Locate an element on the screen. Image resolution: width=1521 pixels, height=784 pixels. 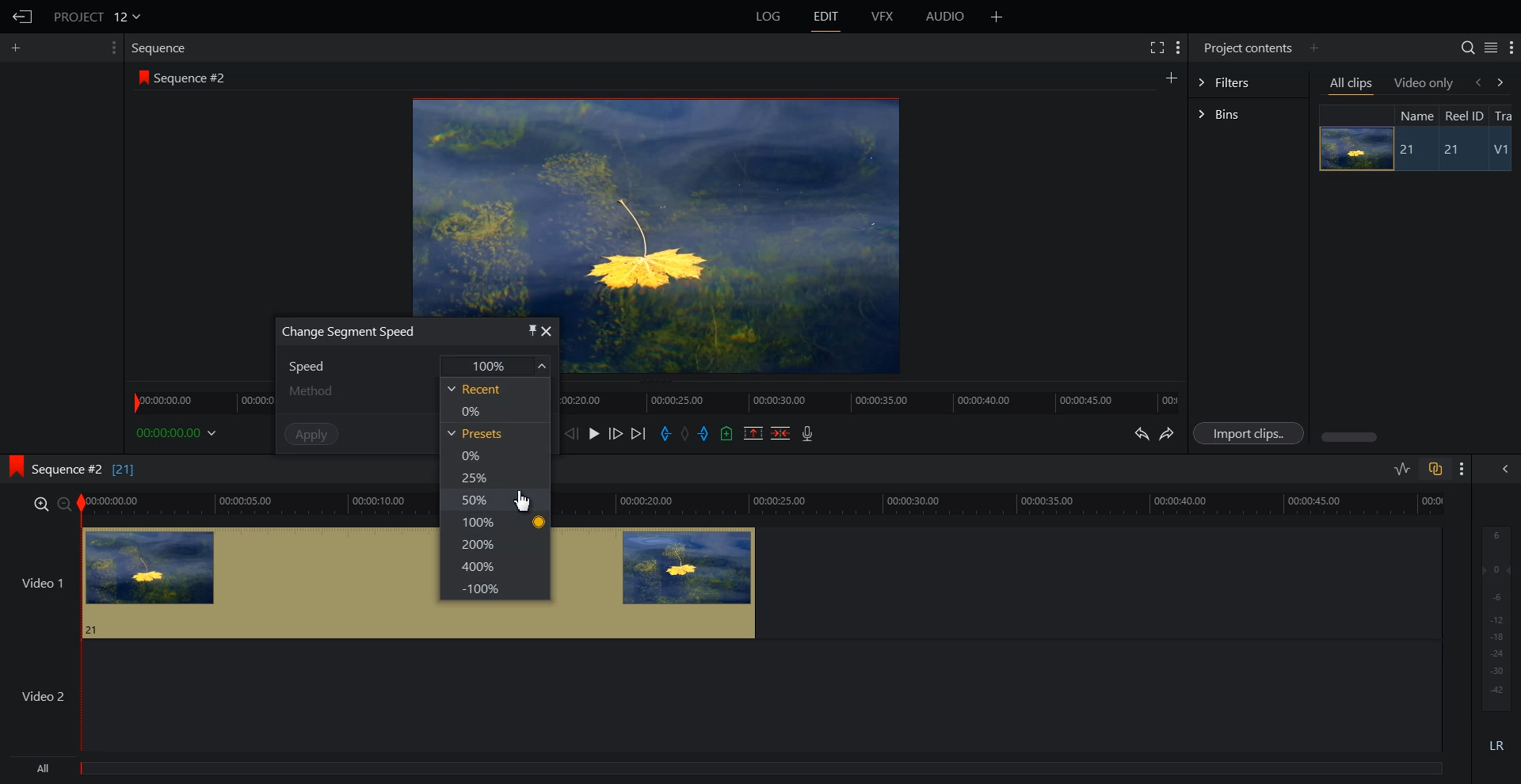
EDIT is located at coordinates (827, 17).